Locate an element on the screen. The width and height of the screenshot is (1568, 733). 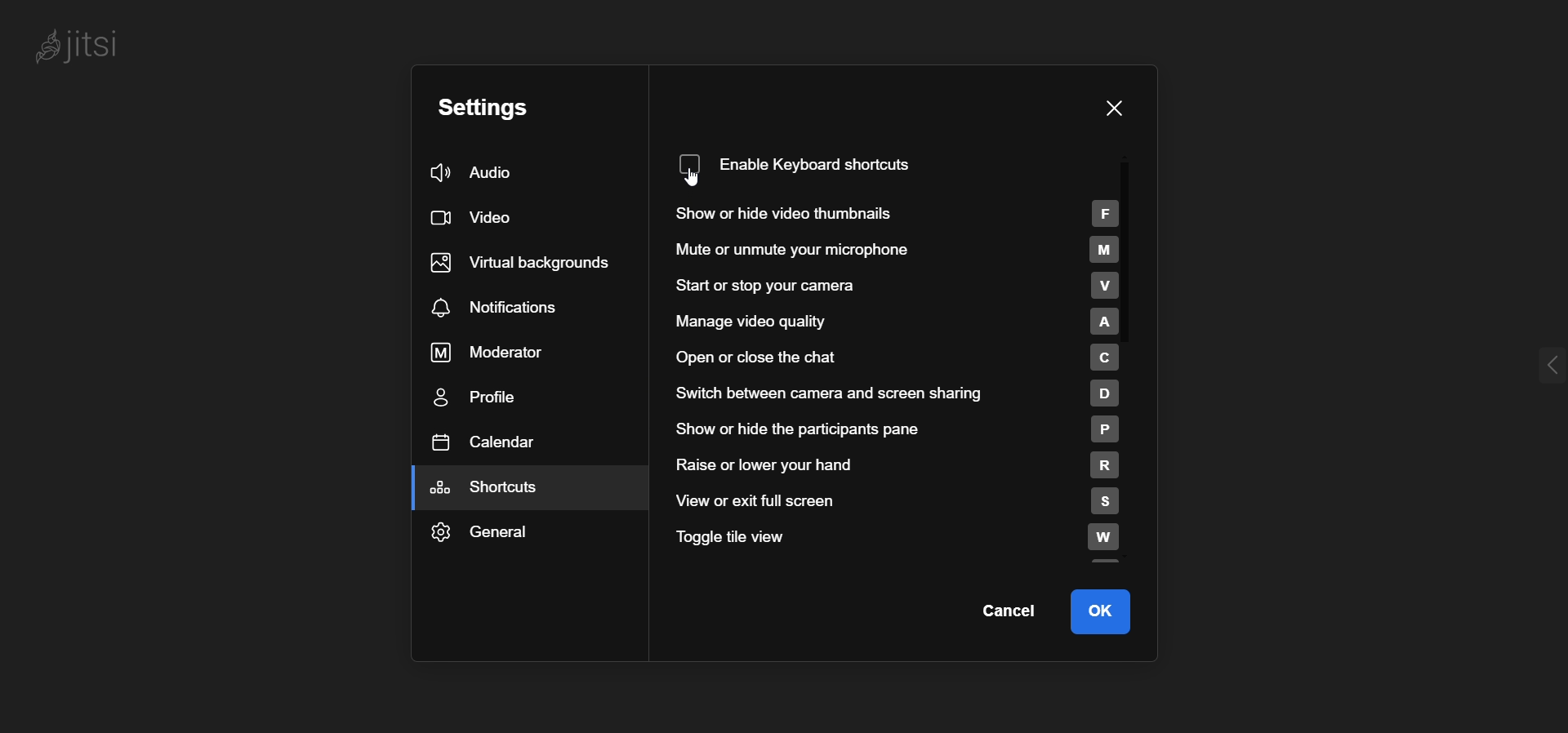
profile is located at coordinates (487, 395).